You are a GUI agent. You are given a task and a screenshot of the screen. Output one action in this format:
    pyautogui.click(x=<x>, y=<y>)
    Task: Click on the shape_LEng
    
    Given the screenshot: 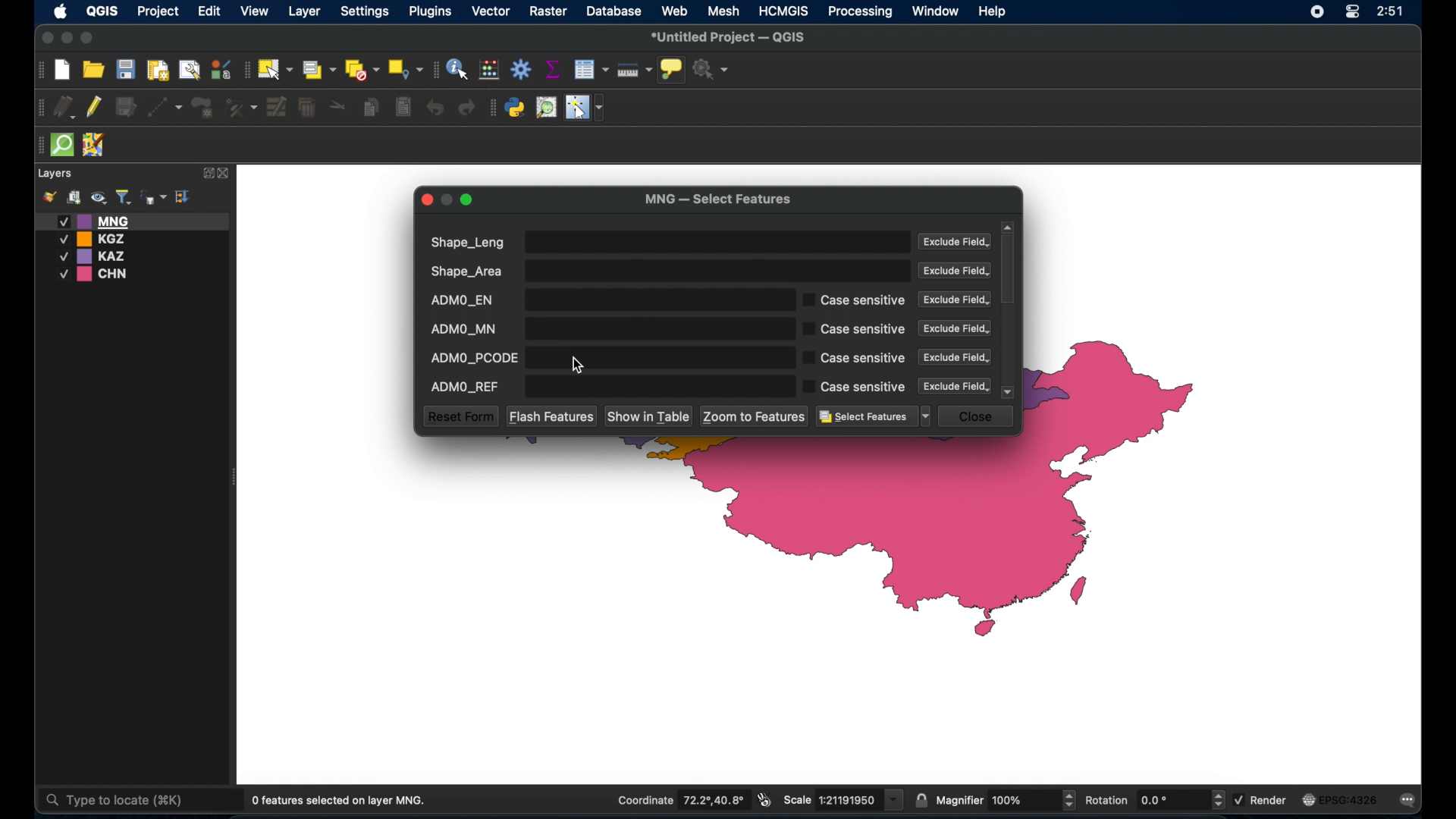 What is the action you would take?
    pyautogui.click(x=667, y=242)
    